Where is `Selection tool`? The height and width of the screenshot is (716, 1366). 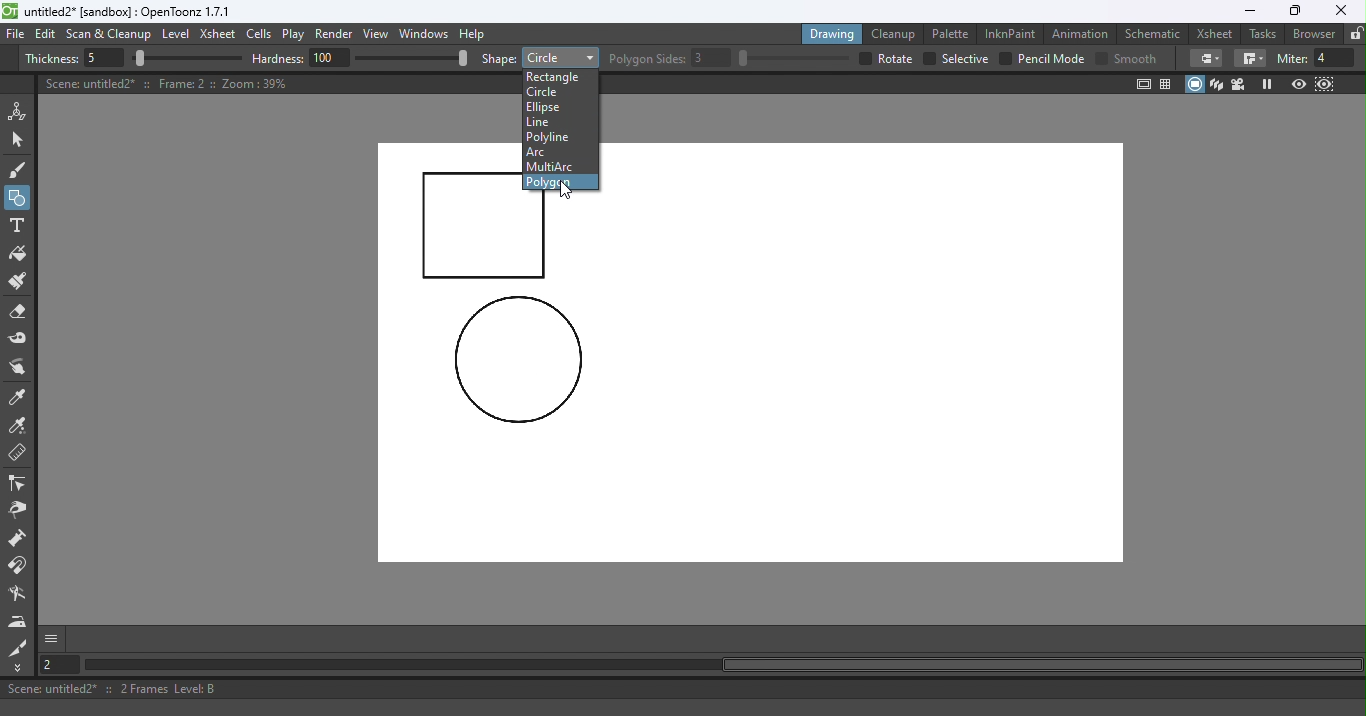 Selection tool is located at coordinates (21, 139).